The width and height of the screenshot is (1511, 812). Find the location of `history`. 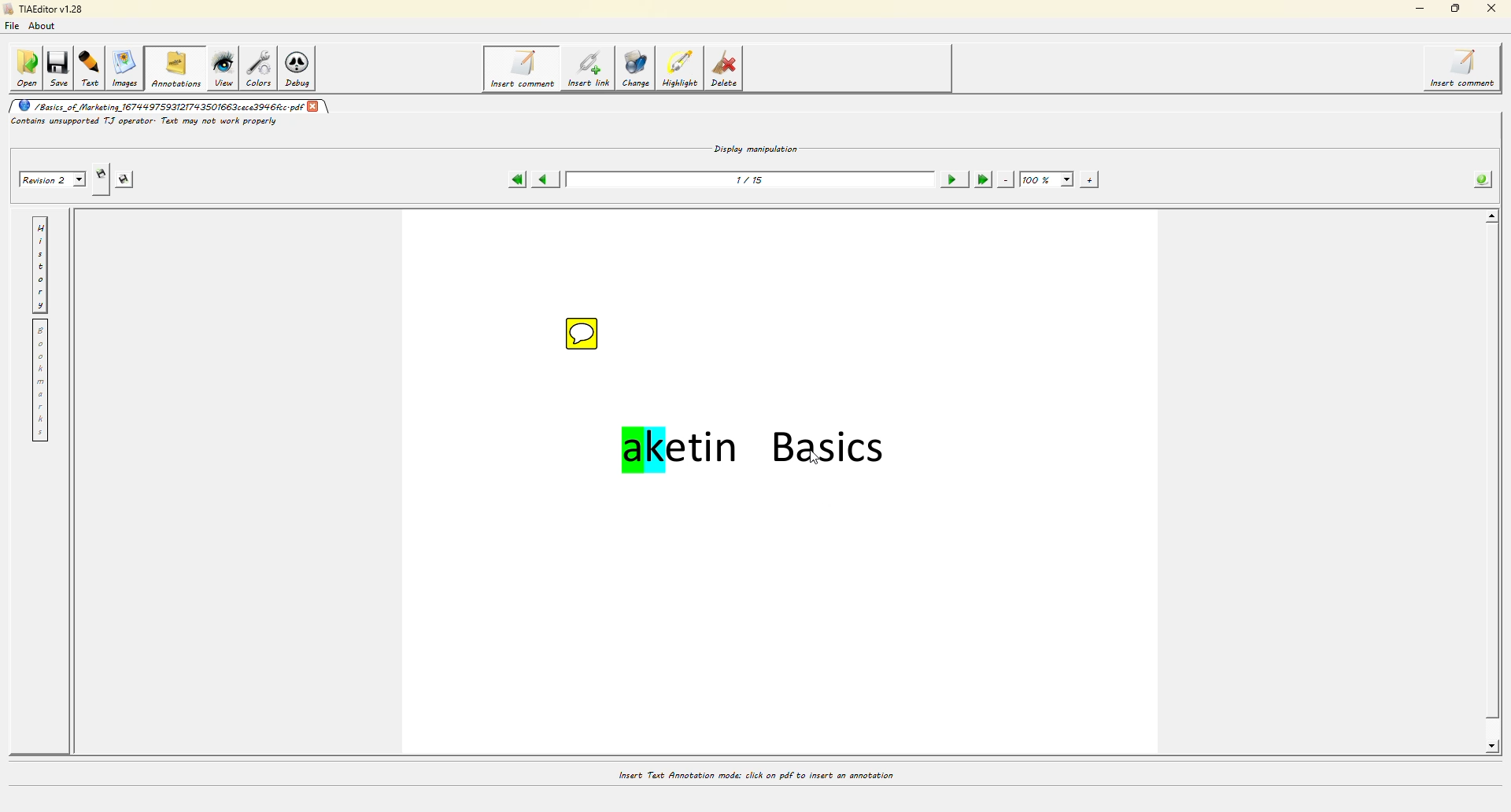

history is located at coordinates (40, 264).